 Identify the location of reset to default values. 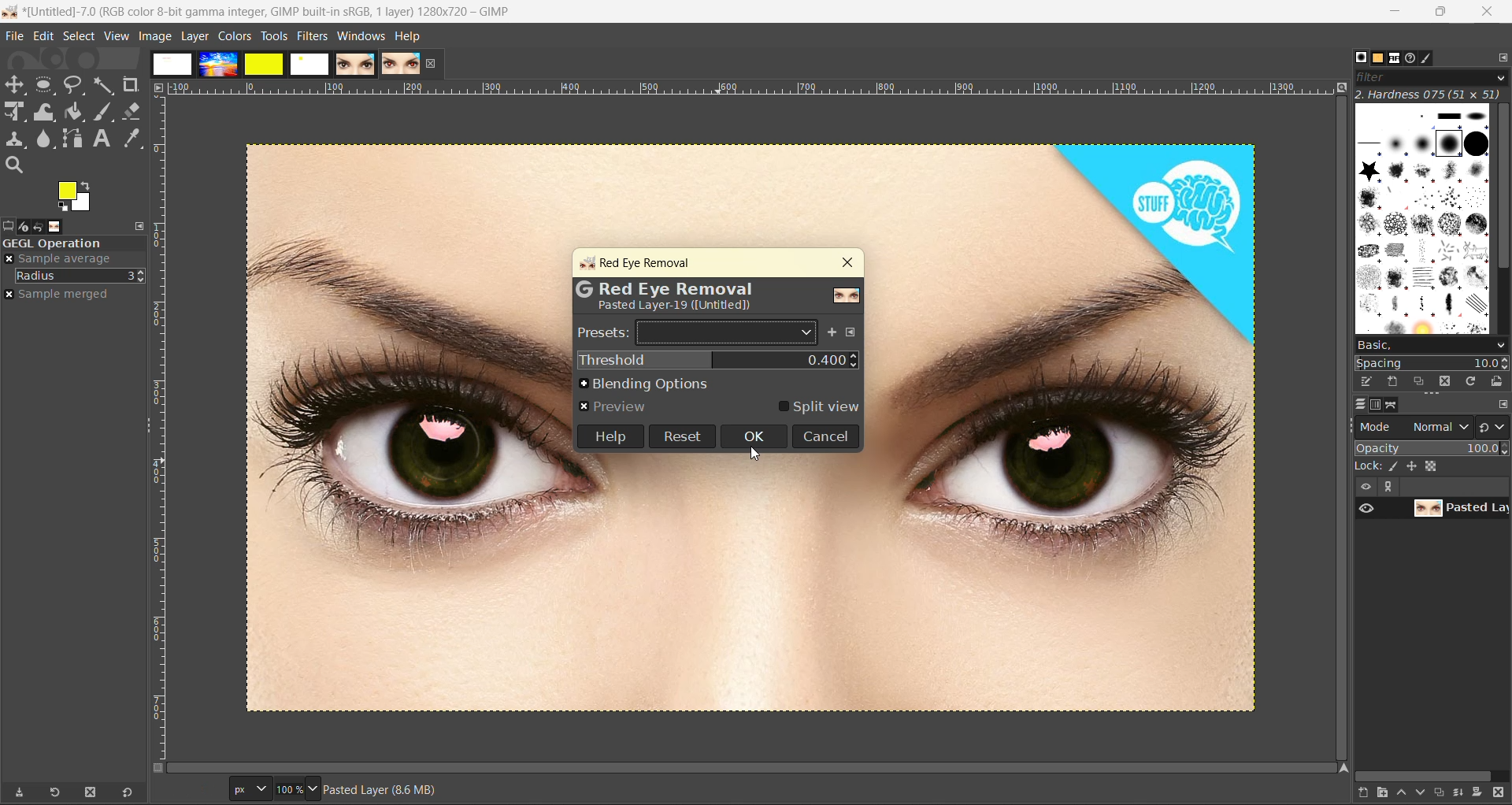
(131, 793).